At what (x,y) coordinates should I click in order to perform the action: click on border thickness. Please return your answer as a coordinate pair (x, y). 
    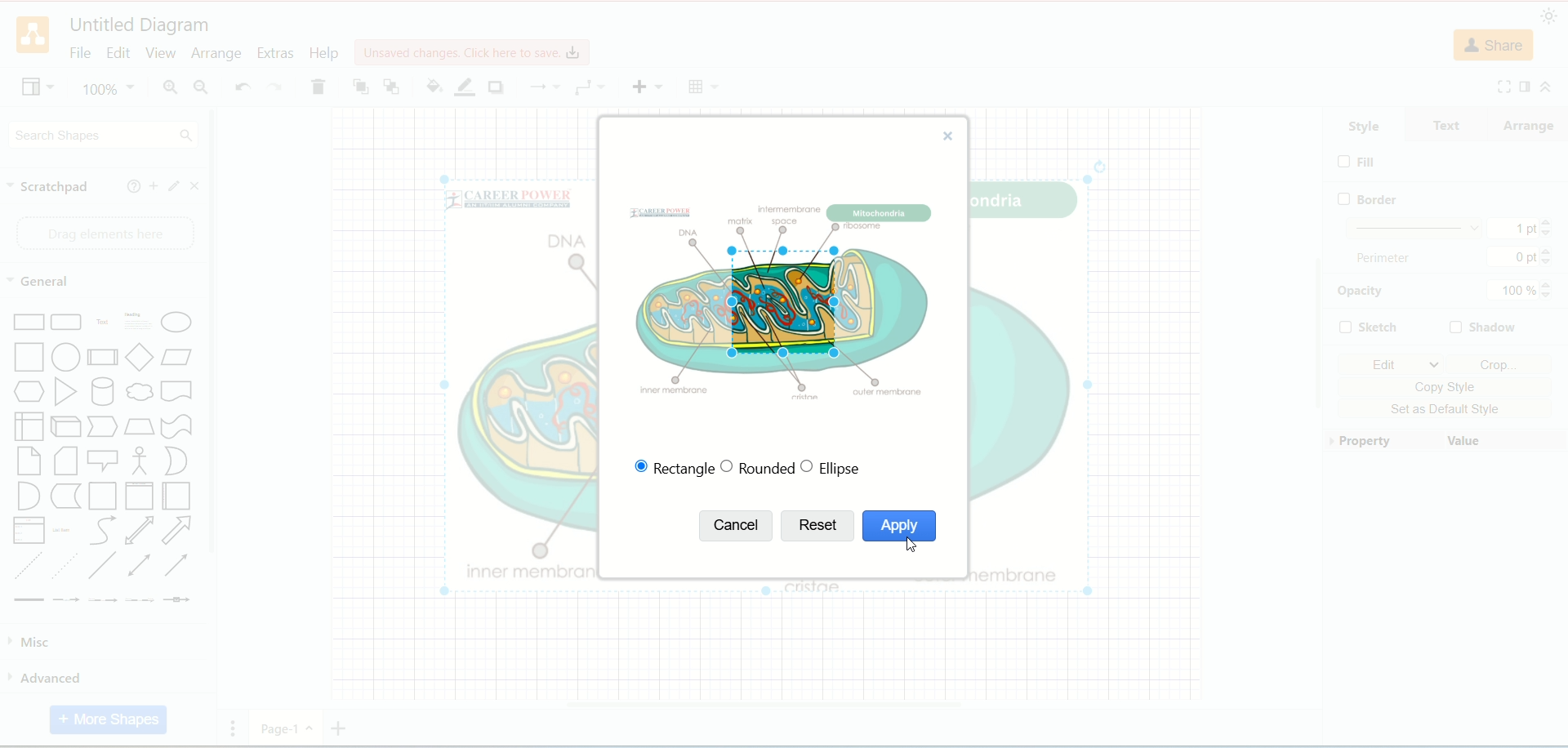
    Looking at the image, I should click on (1450, 228).